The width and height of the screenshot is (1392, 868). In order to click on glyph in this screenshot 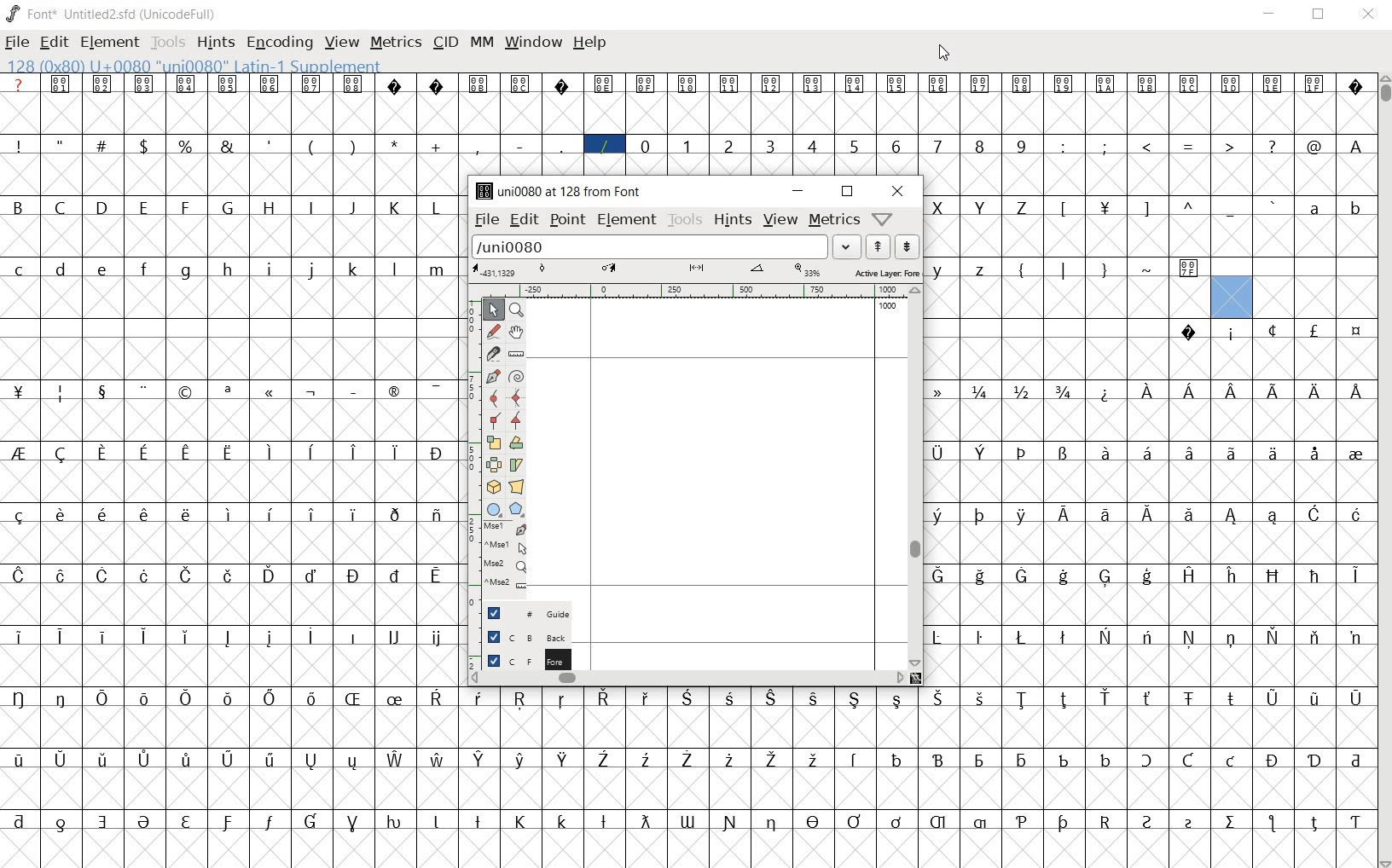, I will do `click(310, 514)`.